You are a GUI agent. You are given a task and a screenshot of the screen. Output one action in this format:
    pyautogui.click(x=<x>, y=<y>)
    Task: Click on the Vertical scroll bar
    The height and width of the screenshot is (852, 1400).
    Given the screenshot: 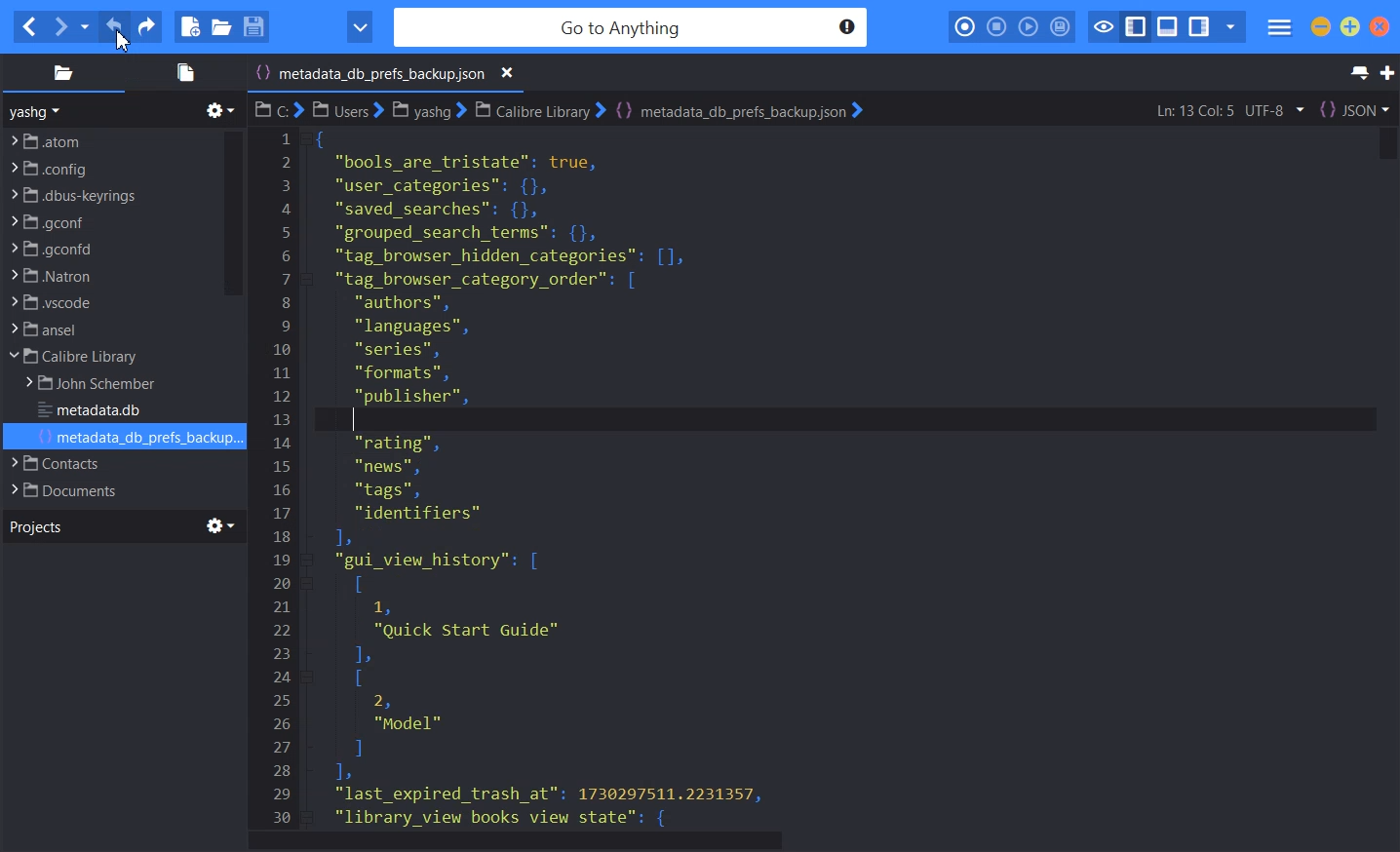 What is the action you would take?
    pyautogui.click(x=1383, y=477)
    